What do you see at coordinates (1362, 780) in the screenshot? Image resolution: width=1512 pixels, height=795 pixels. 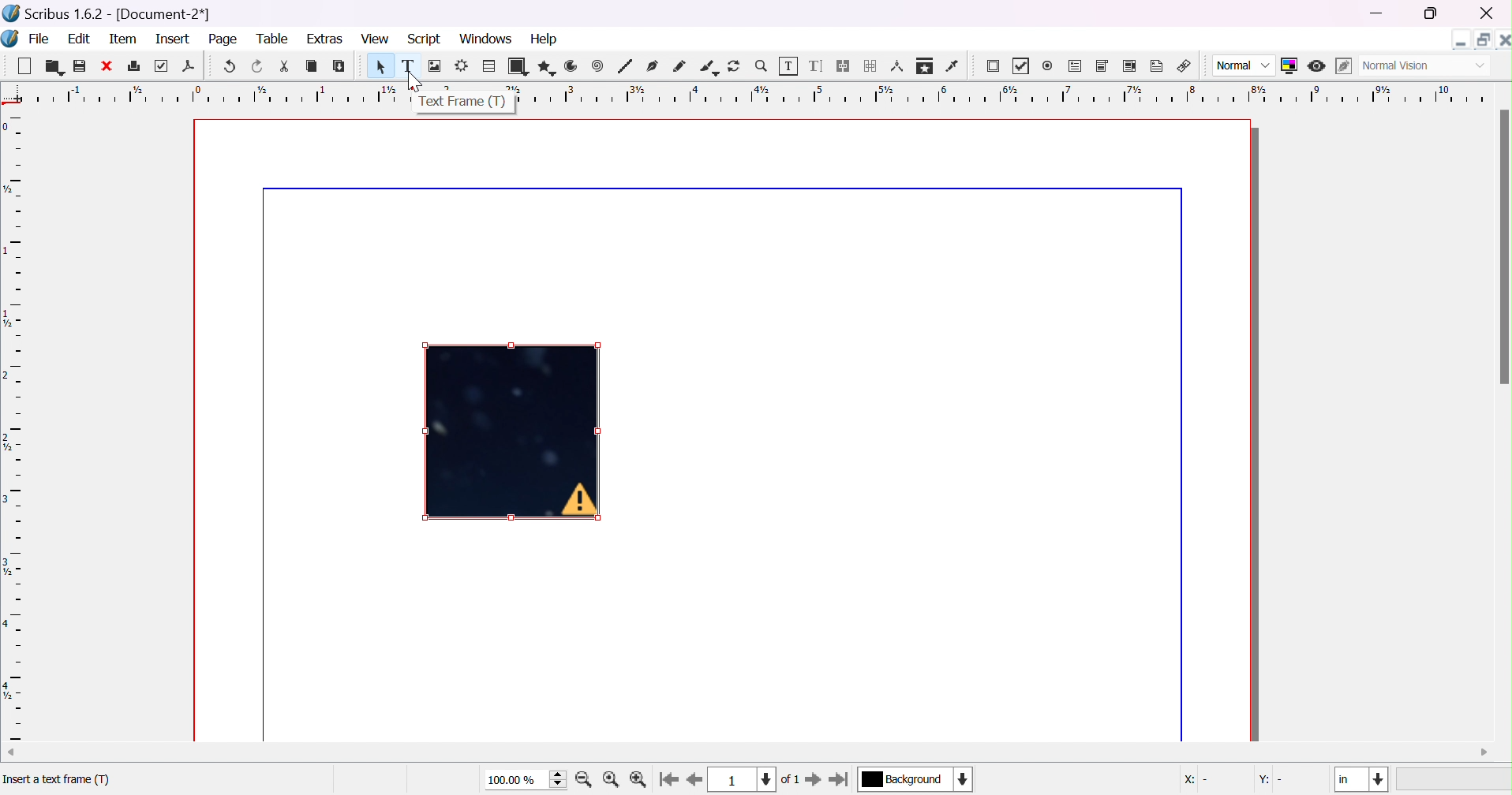 I see `in` at bounding box center [1362, 780].